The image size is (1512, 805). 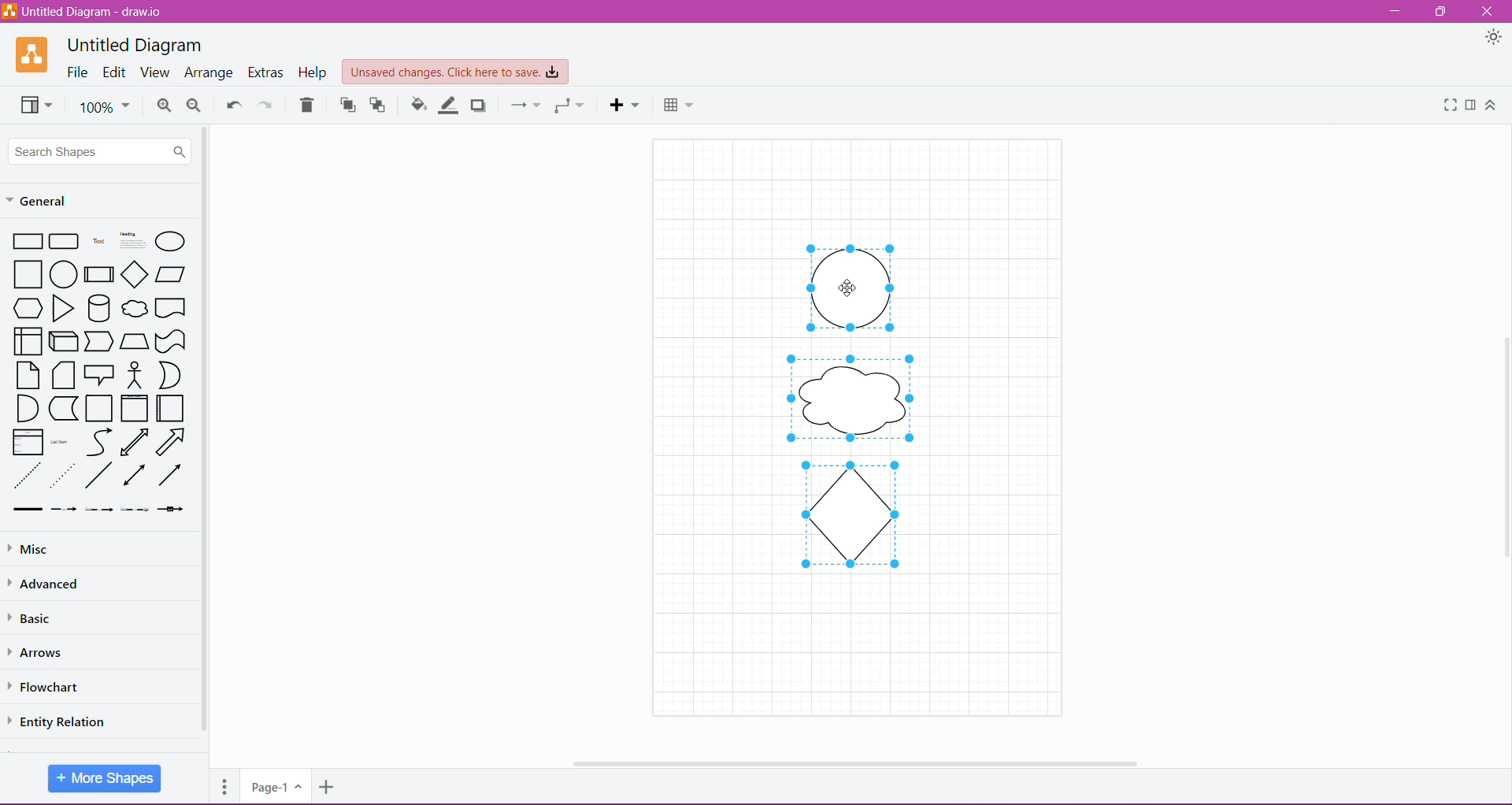 I want to click on Misc, so click(x=31, y=550).